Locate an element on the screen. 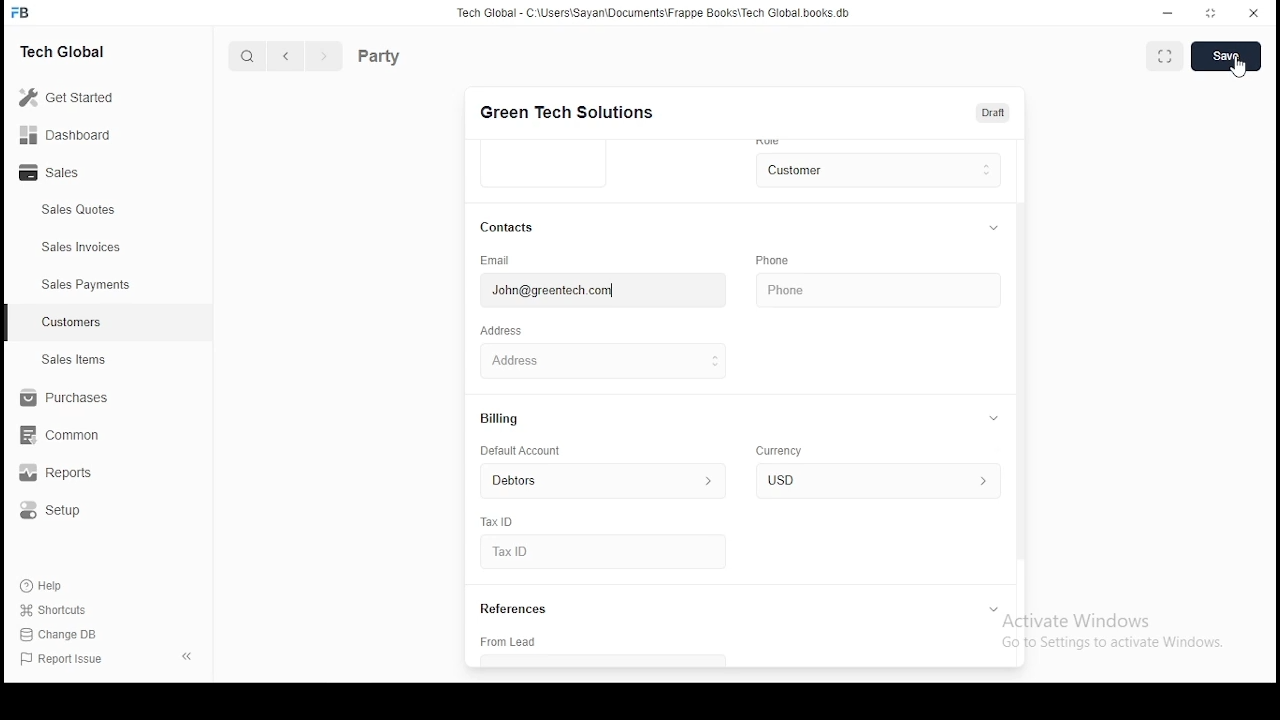 The image size is (1280, 720). from lead is located at coordinates (586, 643).